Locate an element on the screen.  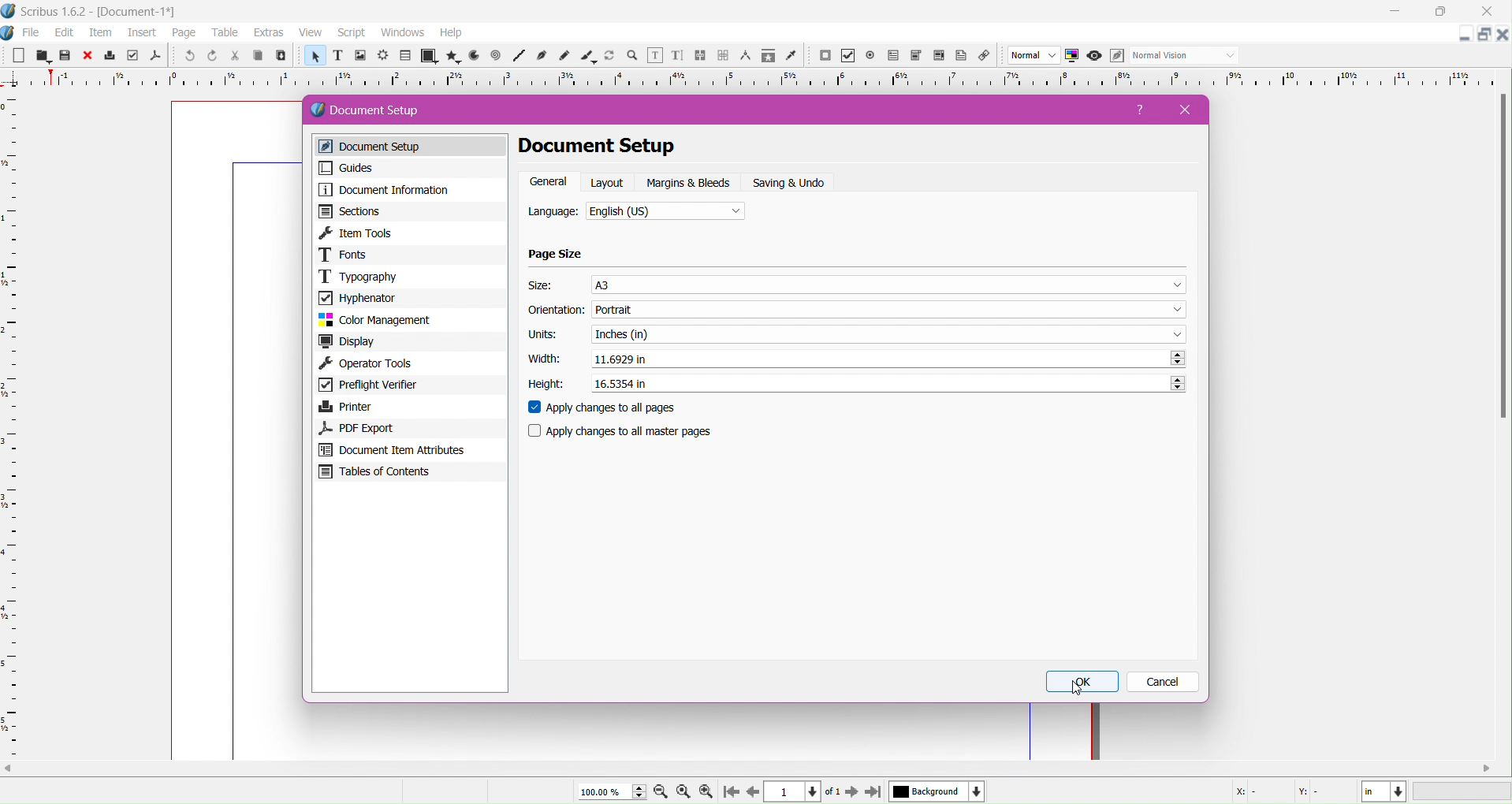
open is located at coordinates (40, 56).